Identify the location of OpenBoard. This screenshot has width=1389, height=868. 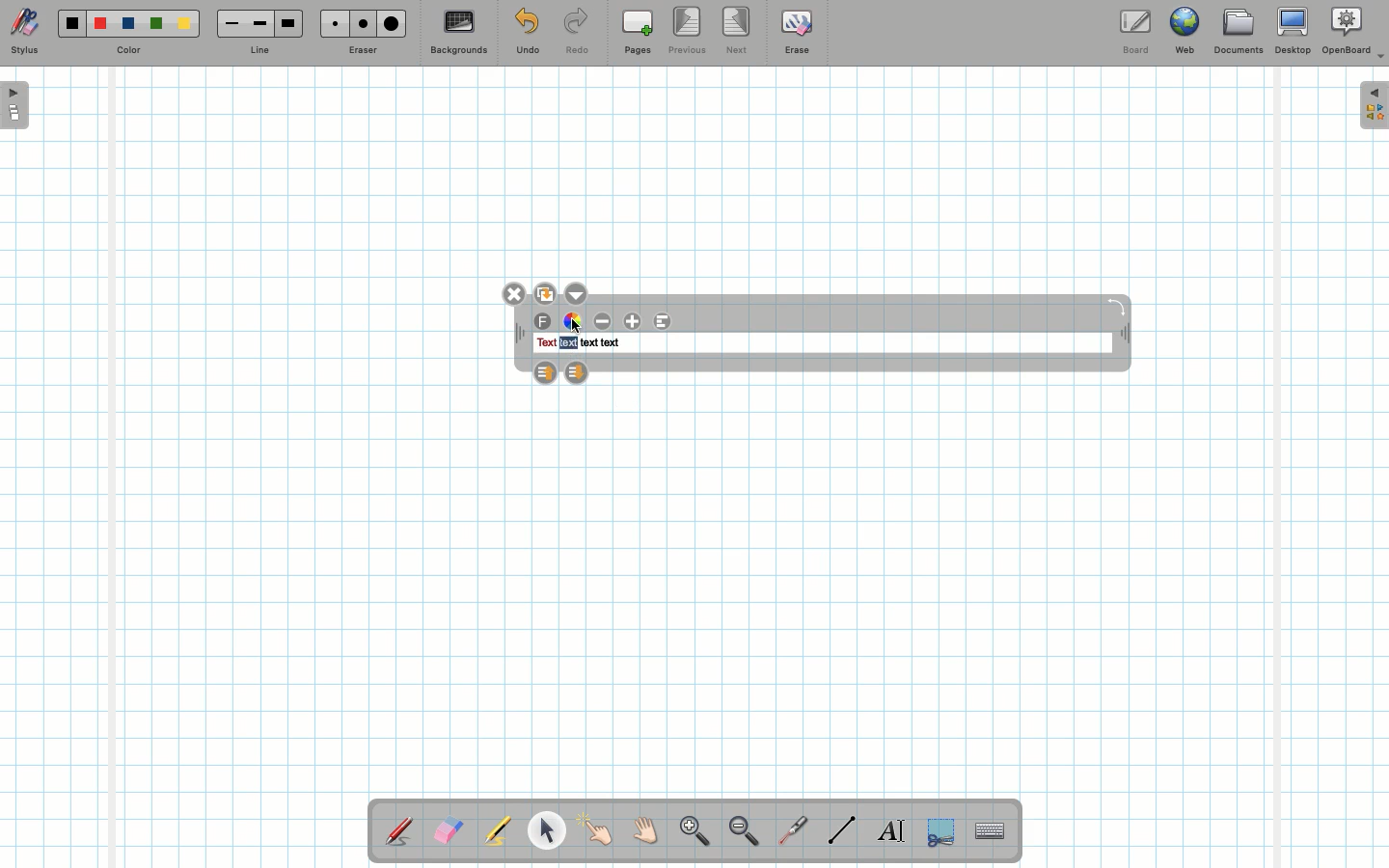
(1353, 31).